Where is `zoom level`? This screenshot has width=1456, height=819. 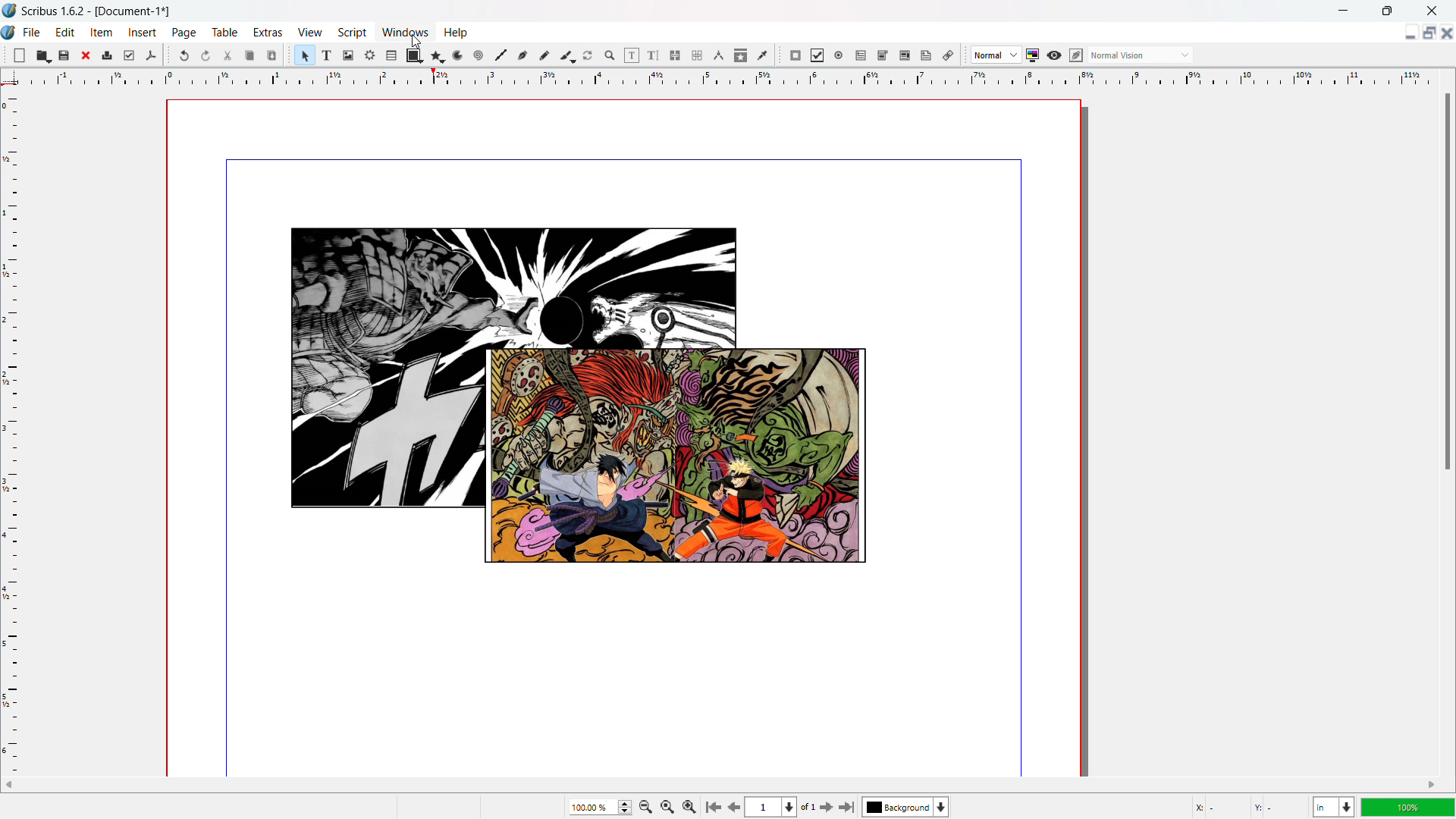 zoom level is located at coordinates (1409, 807).